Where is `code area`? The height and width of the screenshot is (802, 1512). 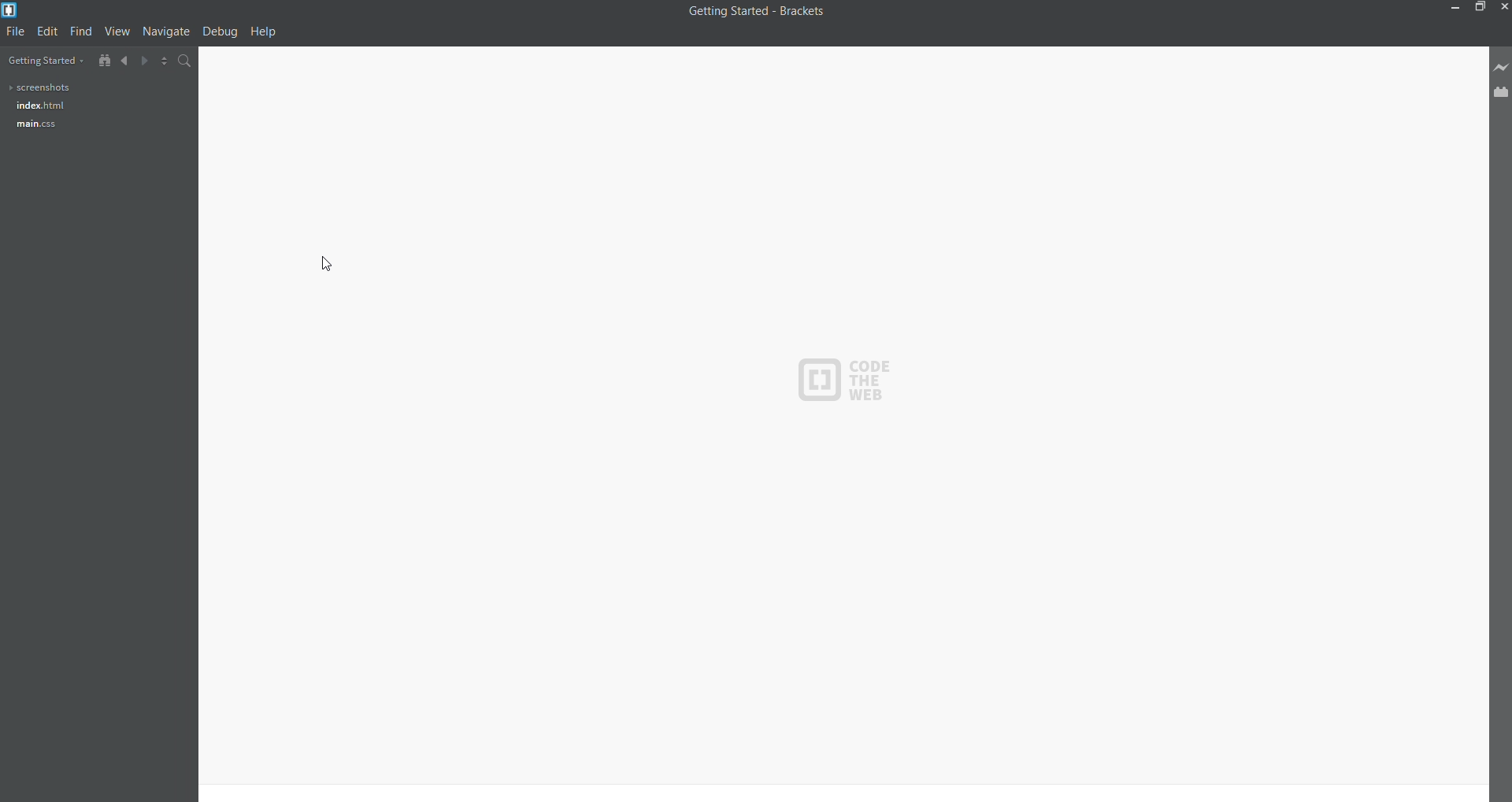
code area is located at coordinates (926, 424).